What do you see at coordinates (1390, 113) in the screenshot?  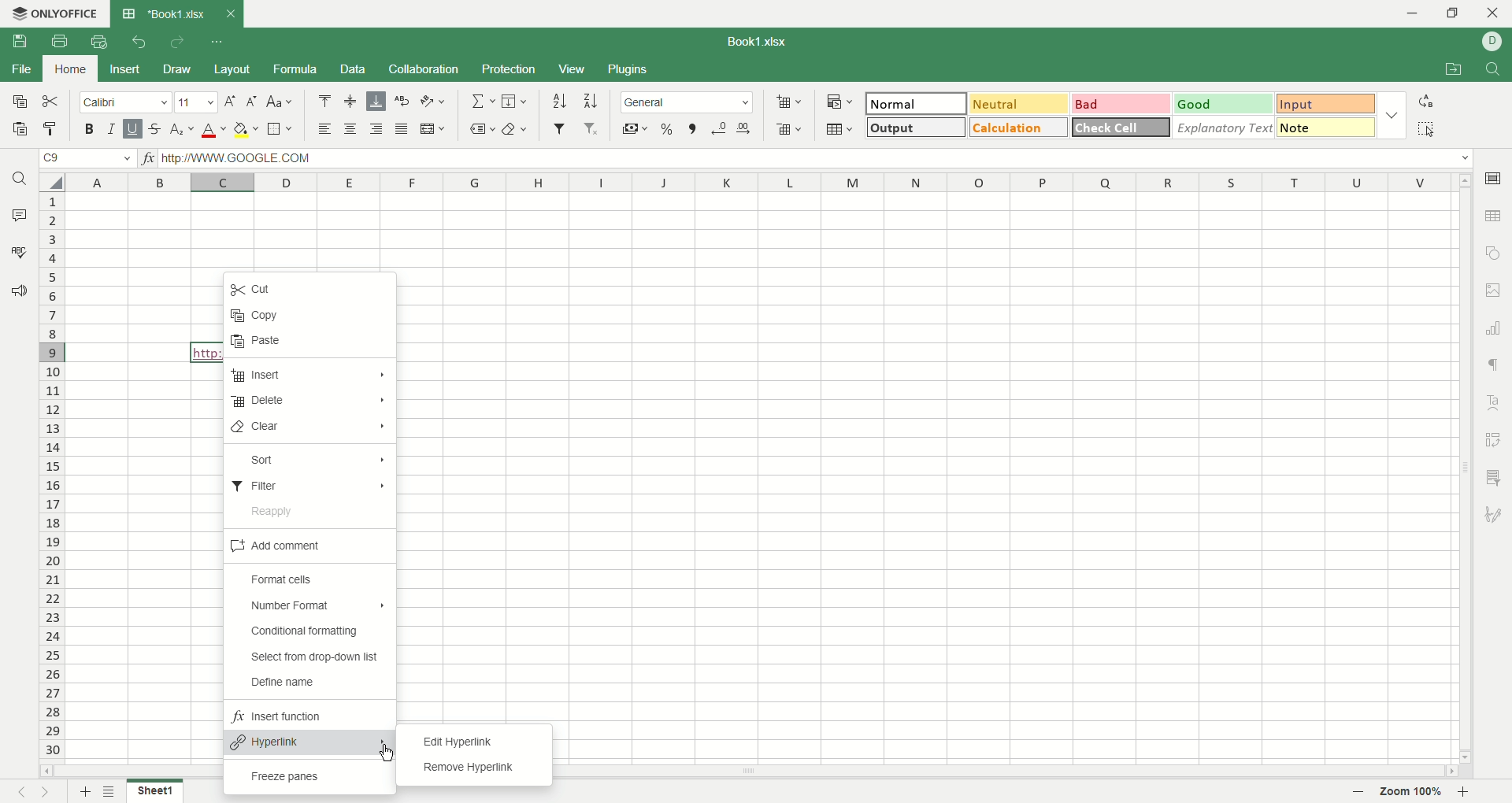 I see `style options` at bounding box center [1390, 113].